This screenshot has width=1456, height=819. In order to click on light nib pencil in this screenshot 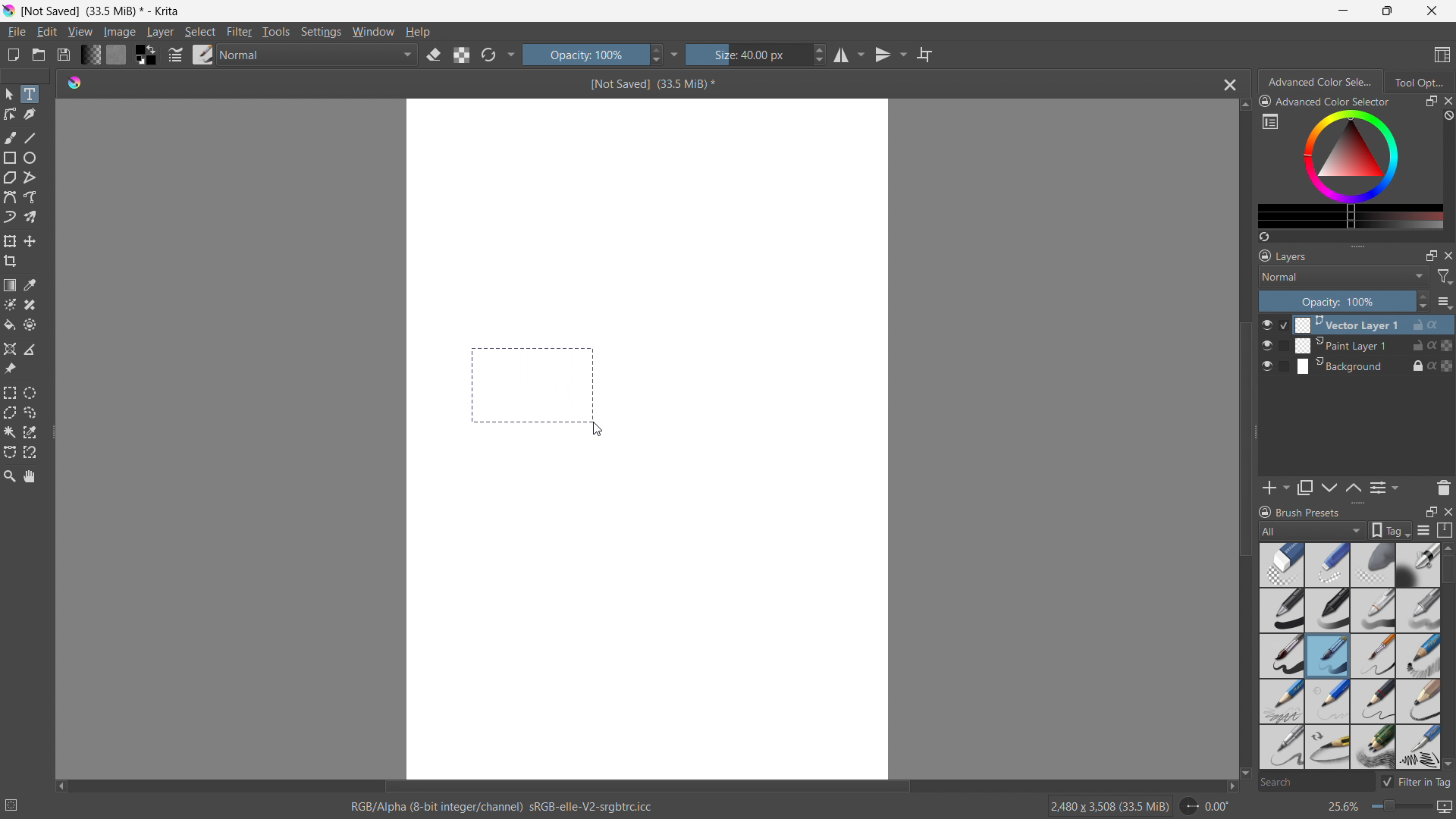, I will do `click(1328, 701)`.